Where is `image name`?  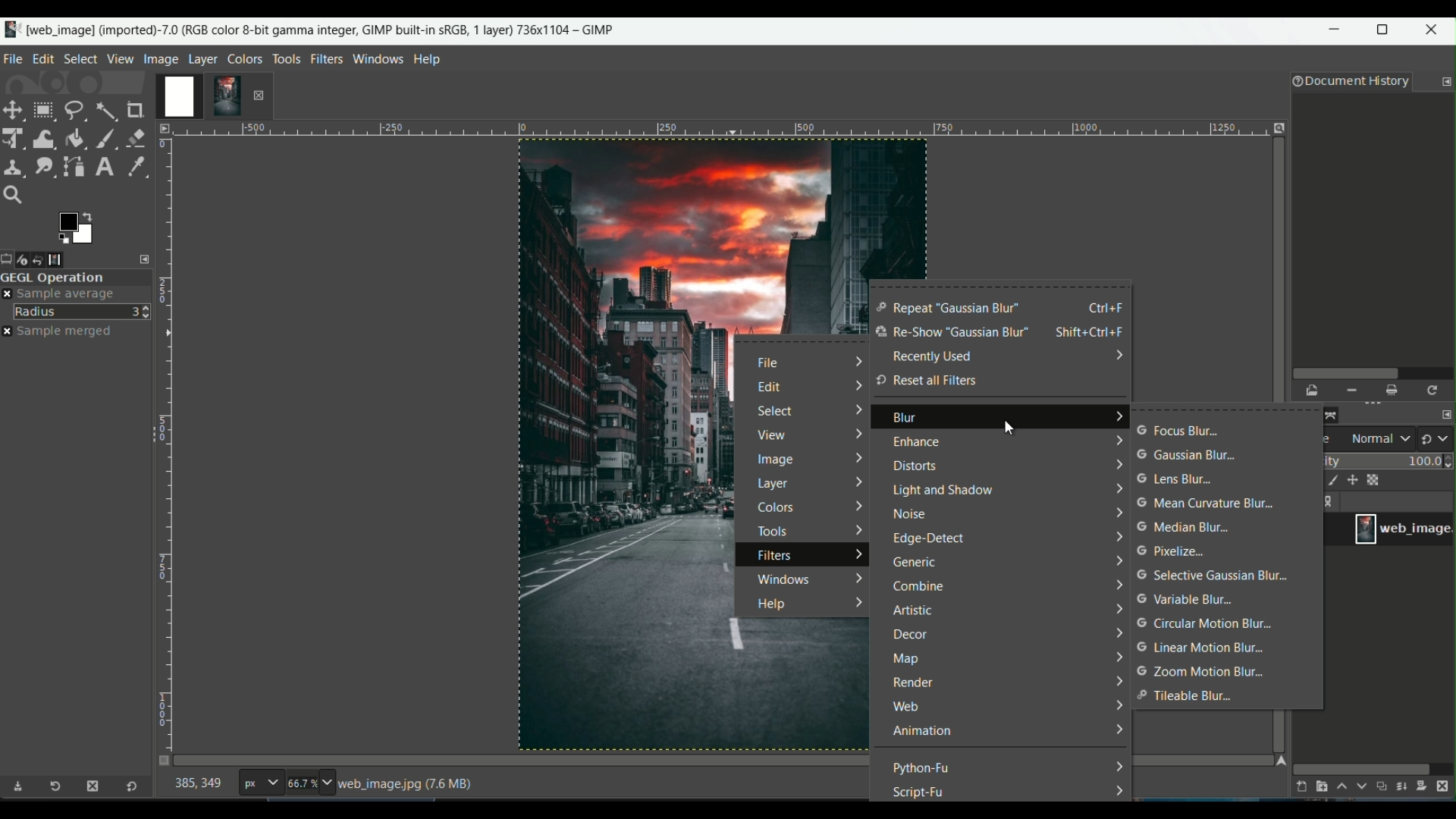
image name is located at coordinates (1403, 529).